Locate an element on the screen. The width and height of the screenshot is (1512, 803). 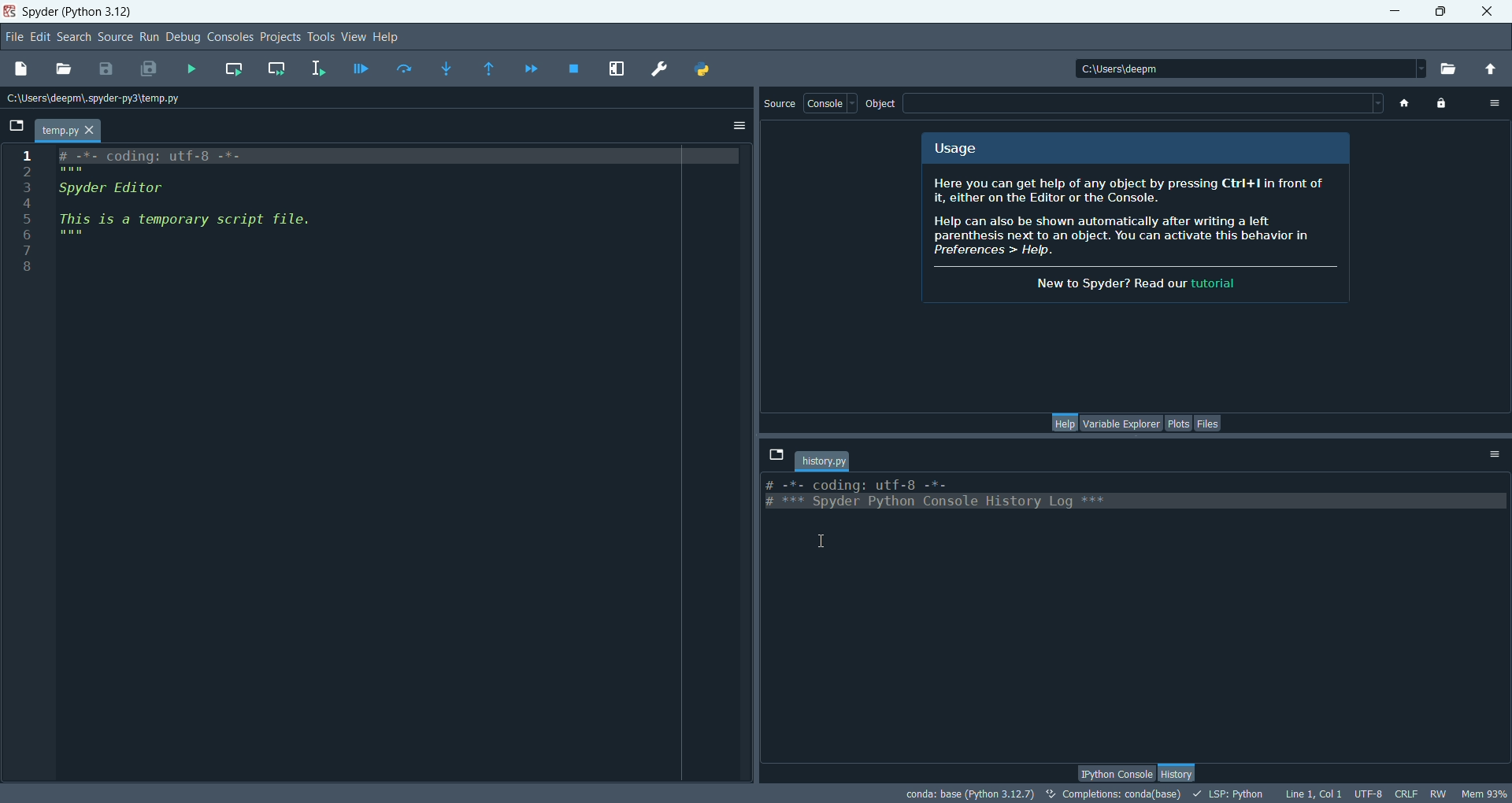
search is located at coordinates (72, 37).